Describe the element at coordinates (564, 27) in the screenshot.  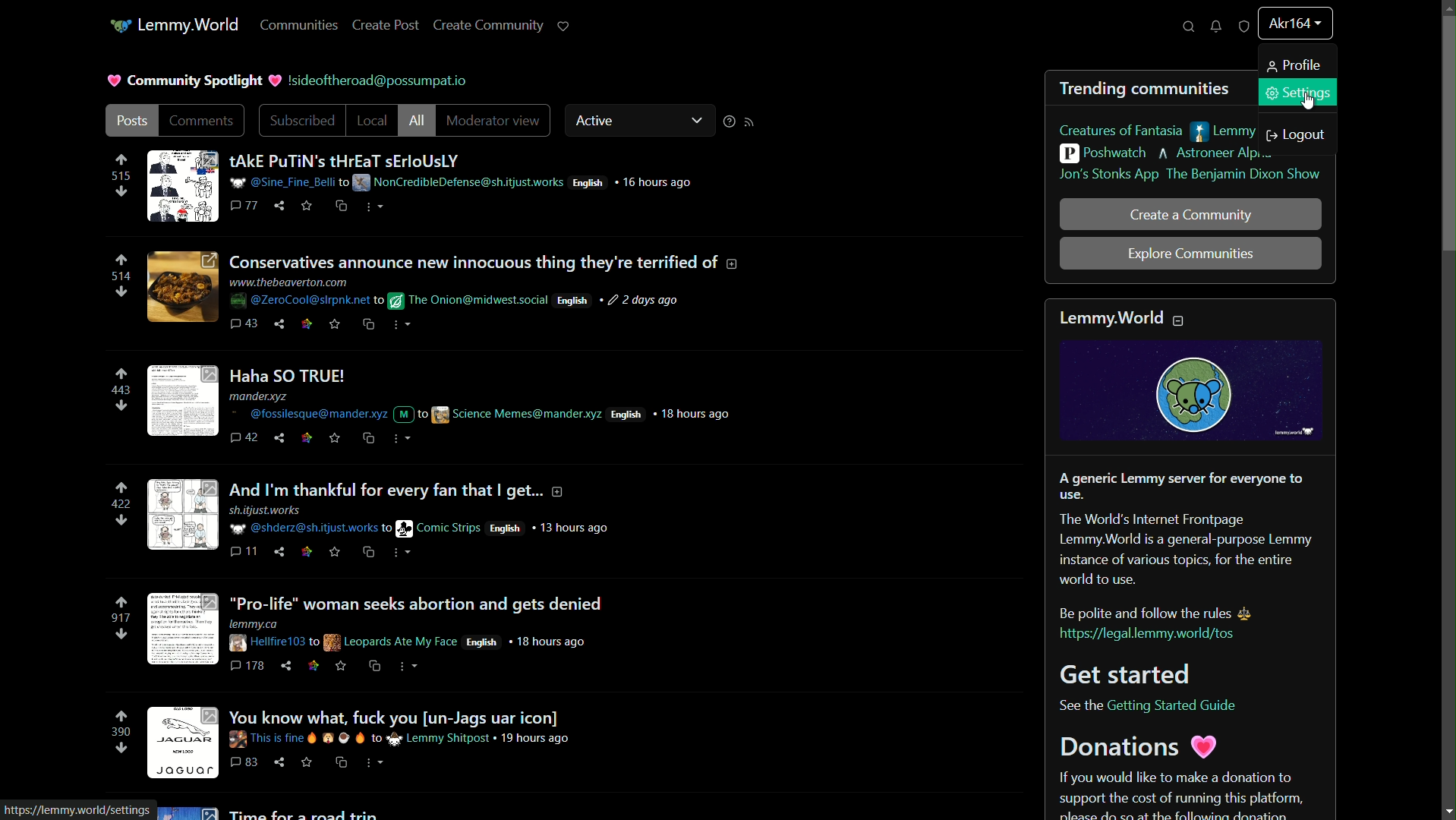
I see `support lemmy` at that location.